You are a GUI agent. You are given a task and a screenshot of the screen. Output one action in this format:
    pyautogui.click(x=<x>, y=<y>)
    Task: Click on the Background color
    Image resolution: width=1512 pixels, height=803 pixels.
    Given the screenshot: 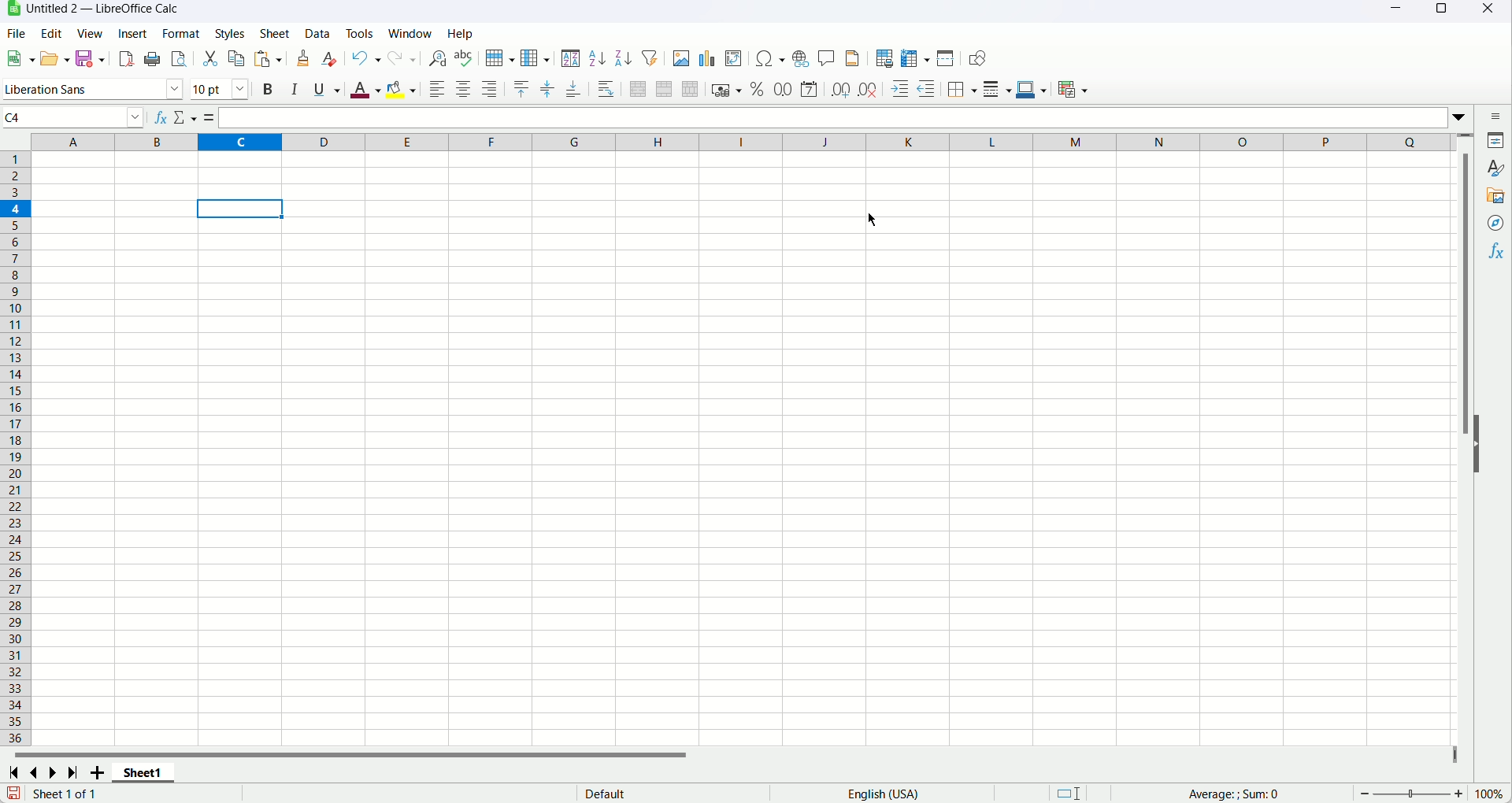 What is the action you would take?
    pyautogui.click(x=402, y=91)
    